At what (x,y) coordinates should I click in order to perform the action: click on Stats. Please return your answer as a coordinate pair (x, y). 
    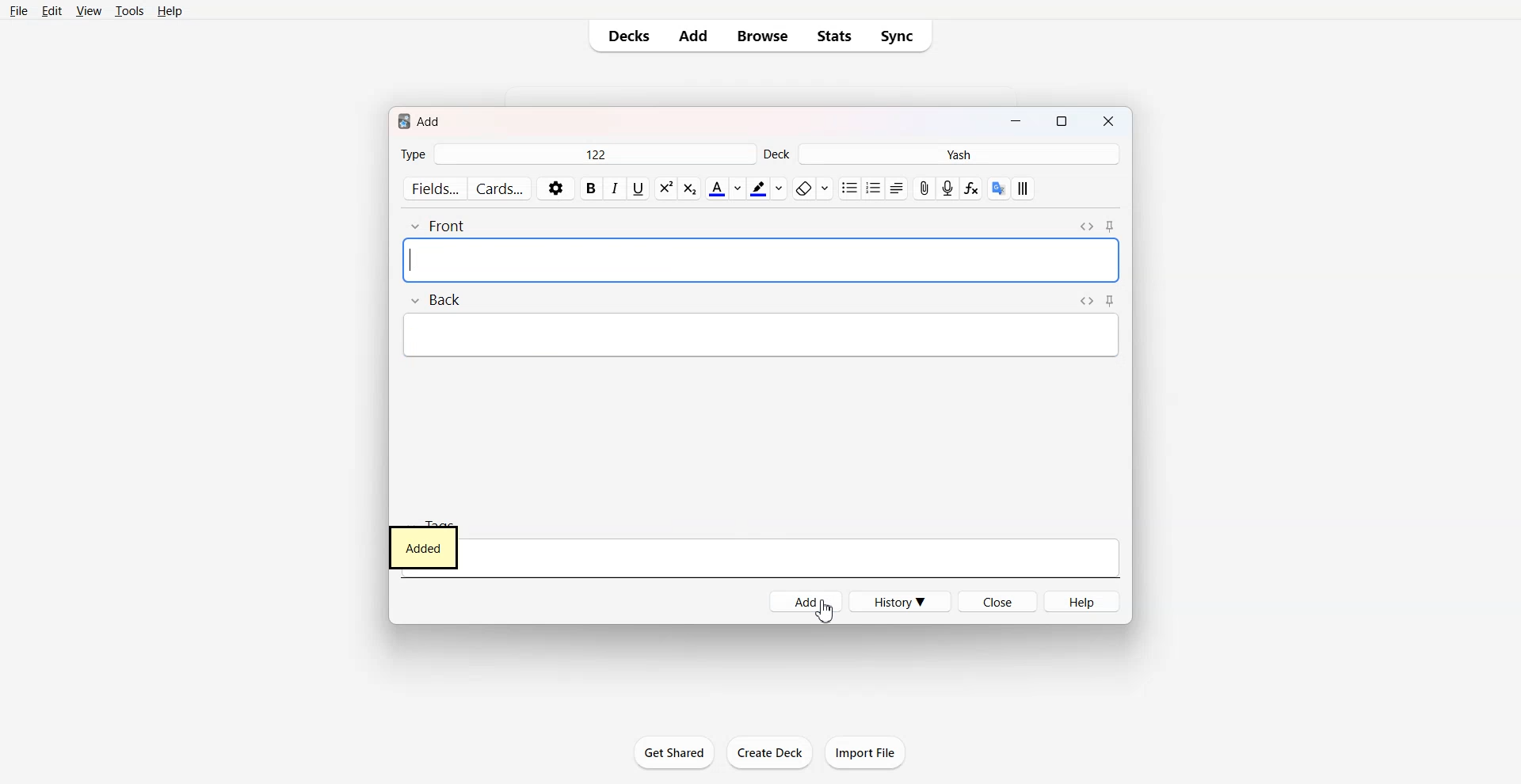
    Looking at the image, I should click on (834, 36).